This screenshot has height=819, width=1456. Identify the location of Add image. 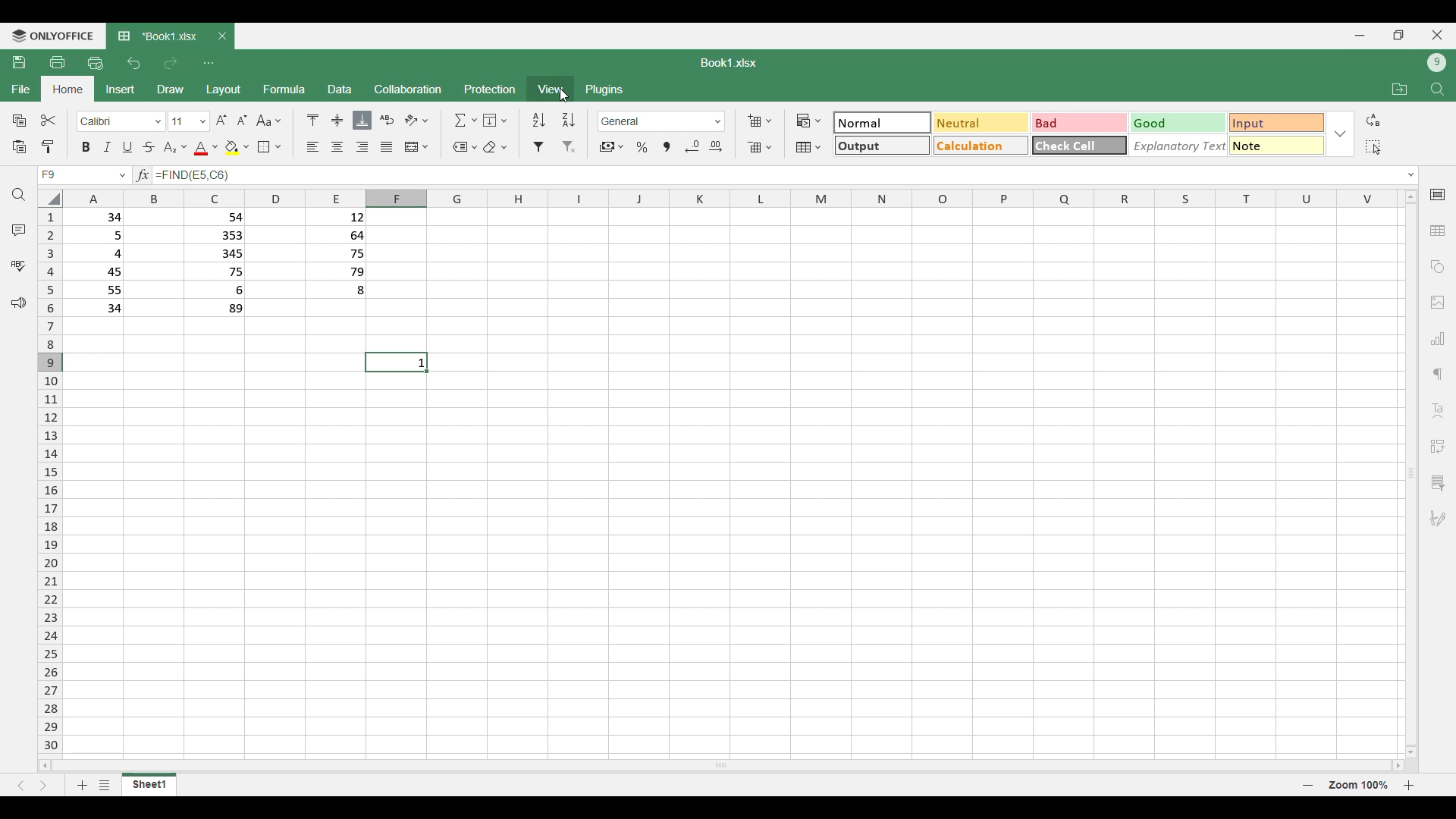
(1439, 303).